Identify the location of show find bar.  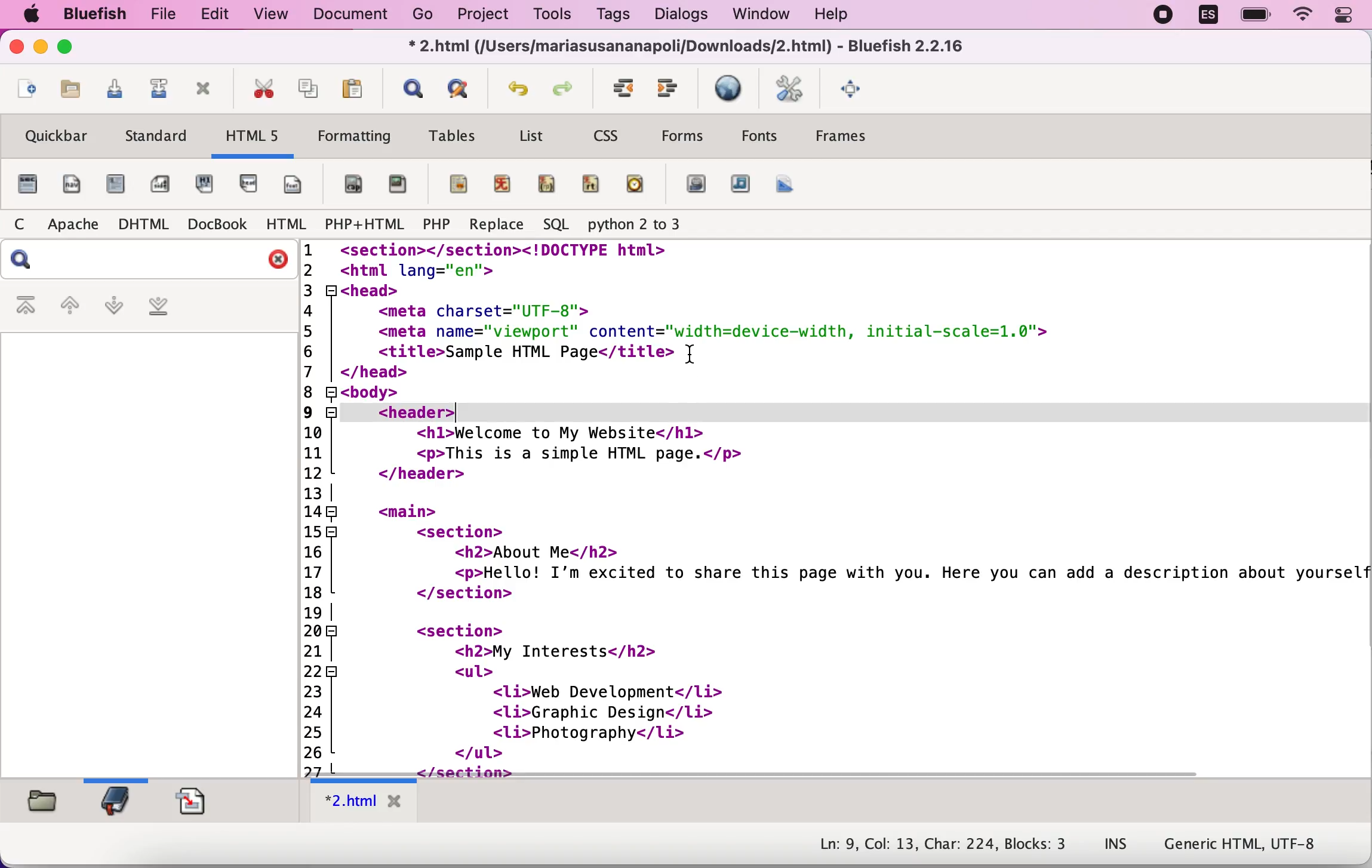
(411, 89).